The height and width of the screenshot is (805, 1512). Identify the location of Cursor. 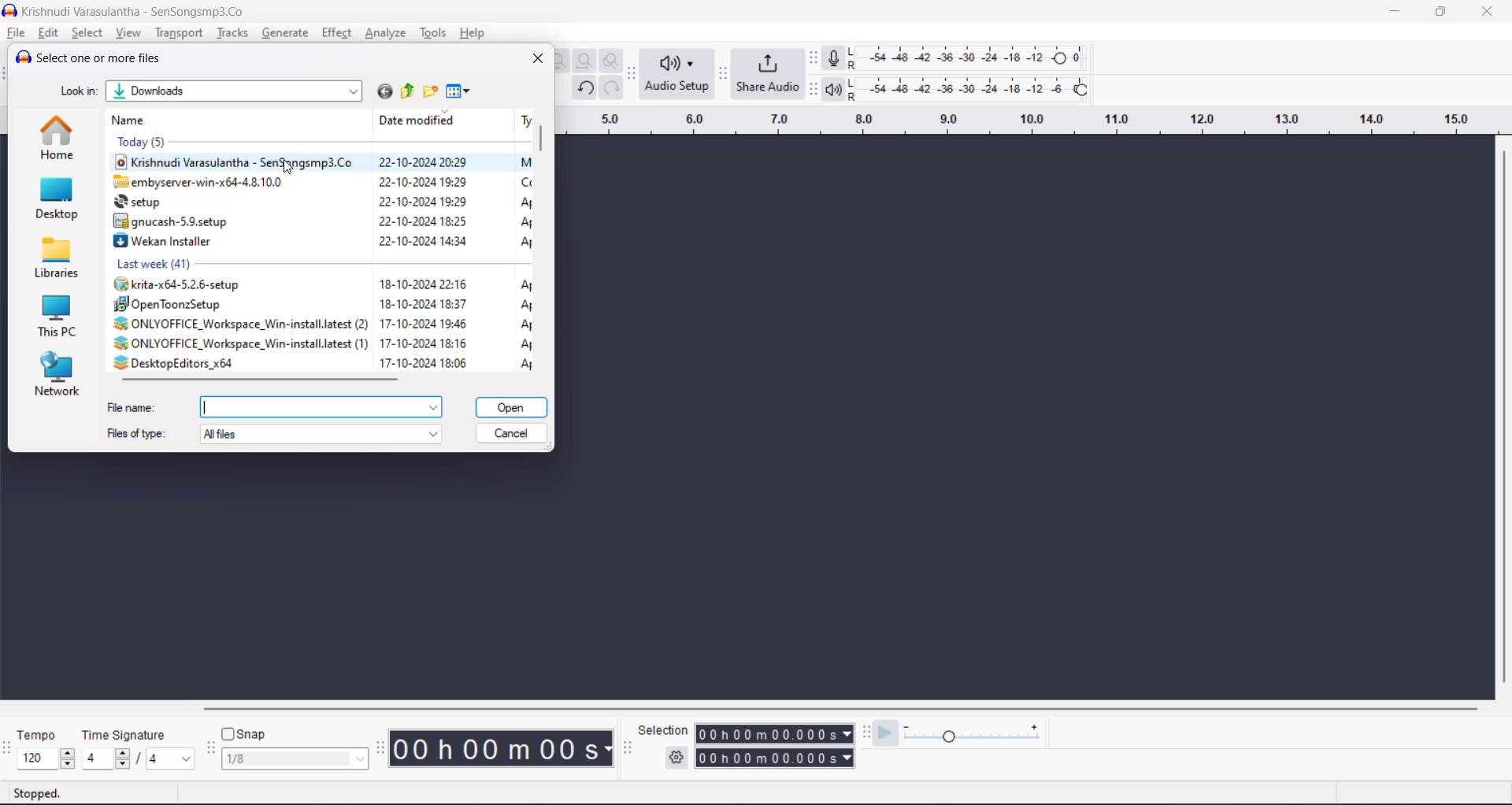
(287, 171).